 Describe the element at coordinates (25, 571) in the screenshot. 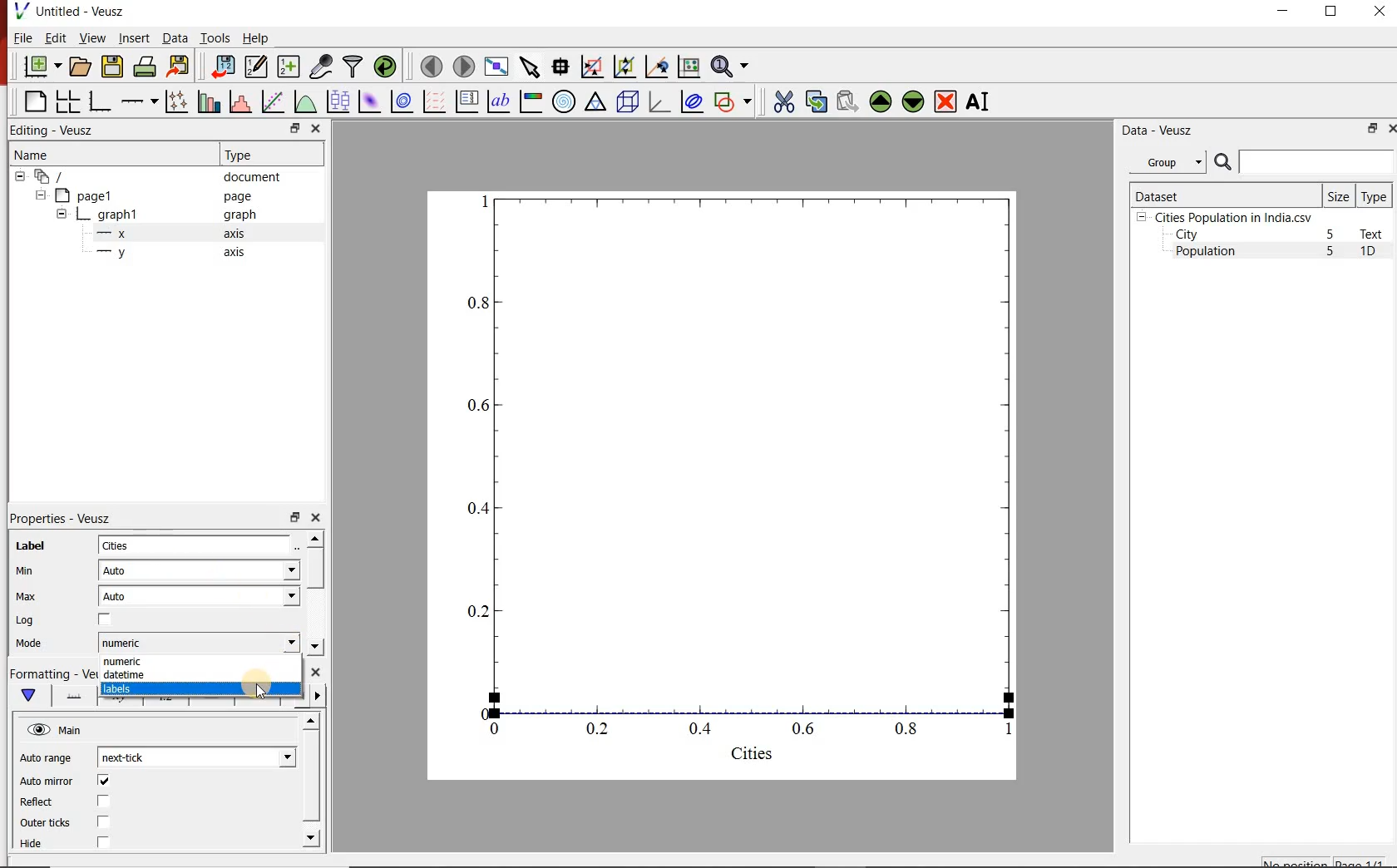

I see `Min` at that location.